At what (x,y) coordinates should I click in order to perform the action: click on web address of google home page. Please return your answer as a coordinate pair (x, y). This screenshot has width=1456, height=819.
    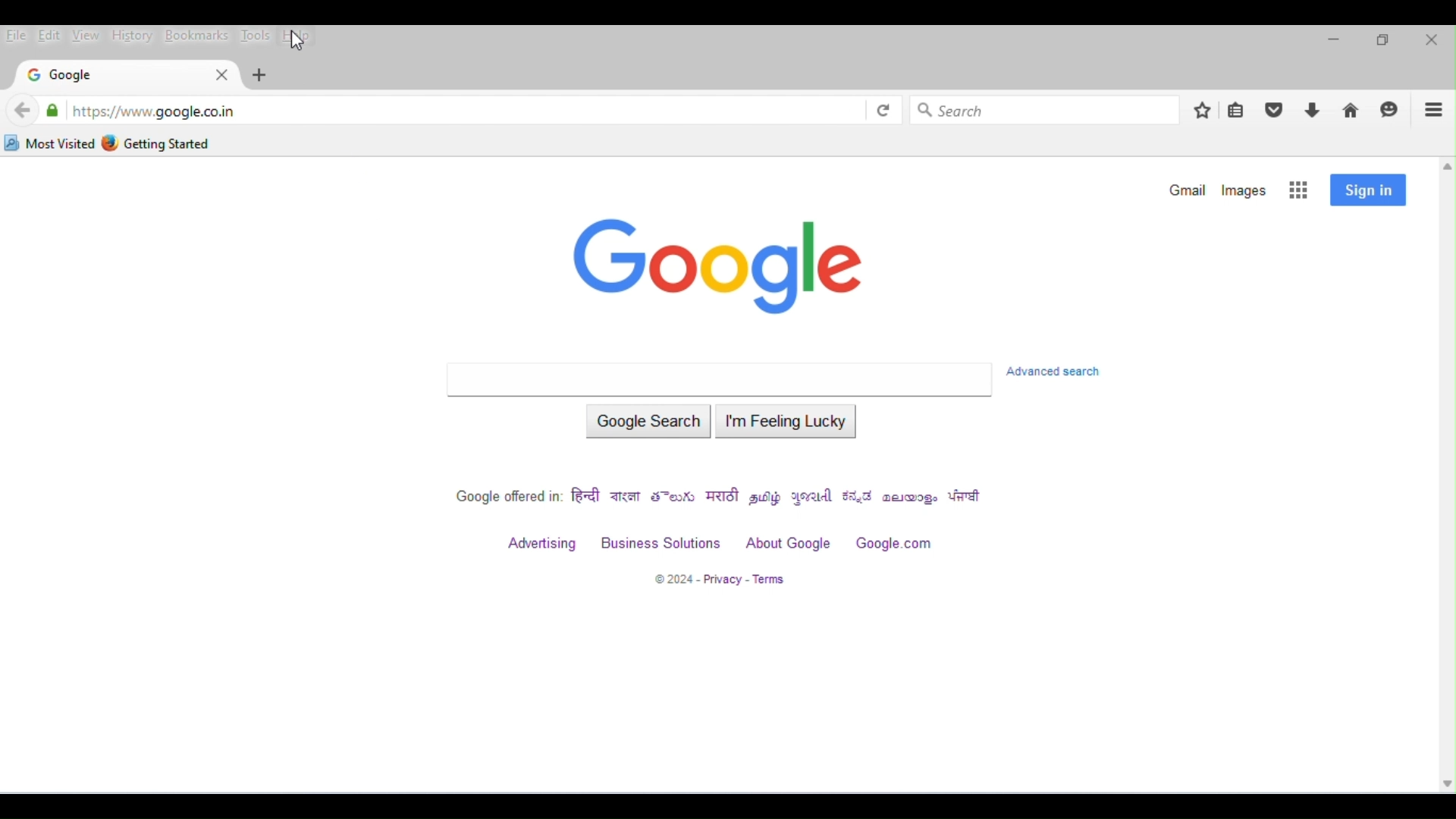
    Looking at the image, I should click on (153, 111).